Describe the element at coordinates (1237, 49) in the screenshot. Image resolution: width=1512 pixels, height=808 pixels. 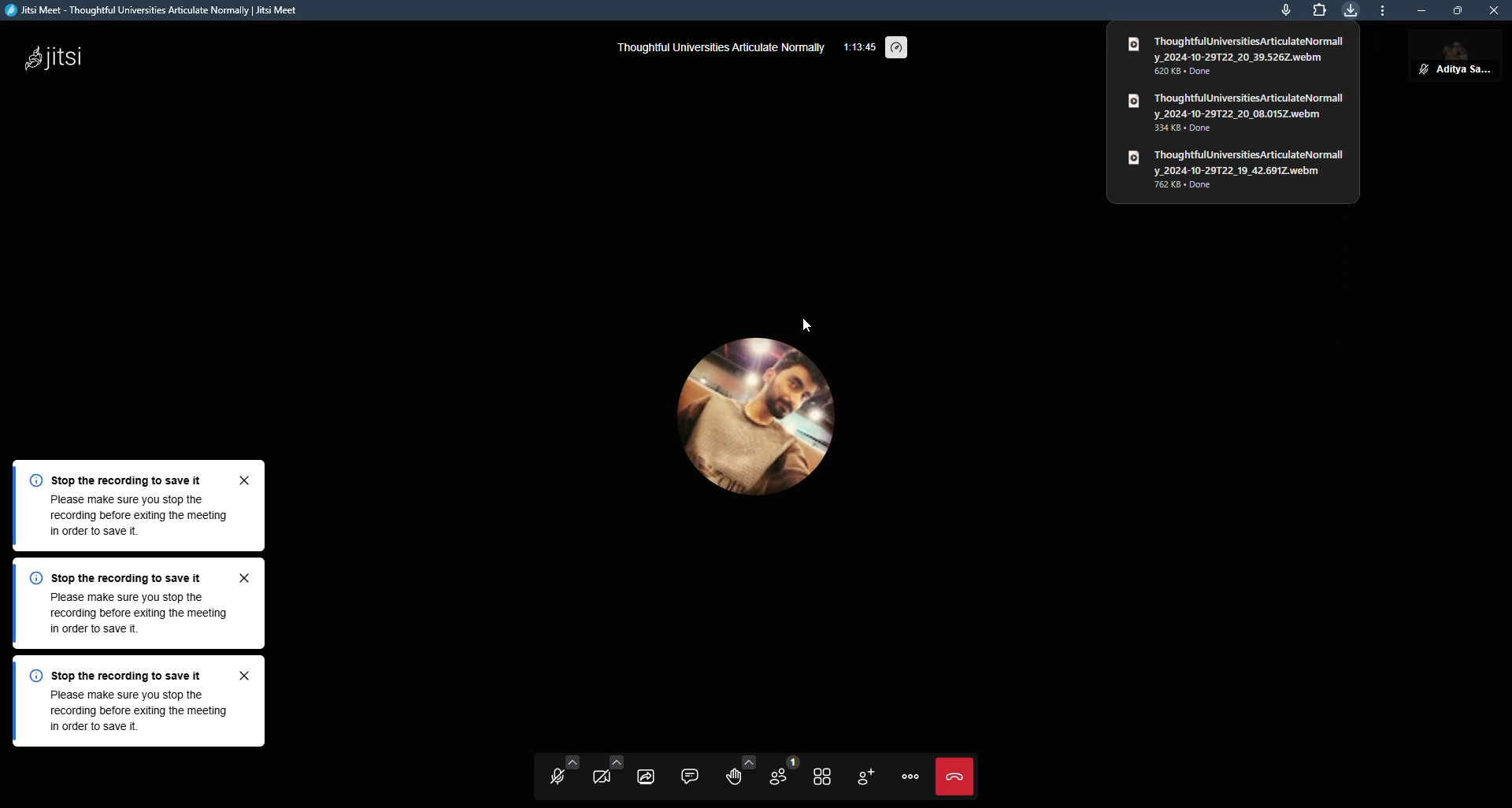
I see `[  ThoughtfulUniversitiesArticulateNormall
v 2024-10-29T22 20 39.526Z.webm` at that location.